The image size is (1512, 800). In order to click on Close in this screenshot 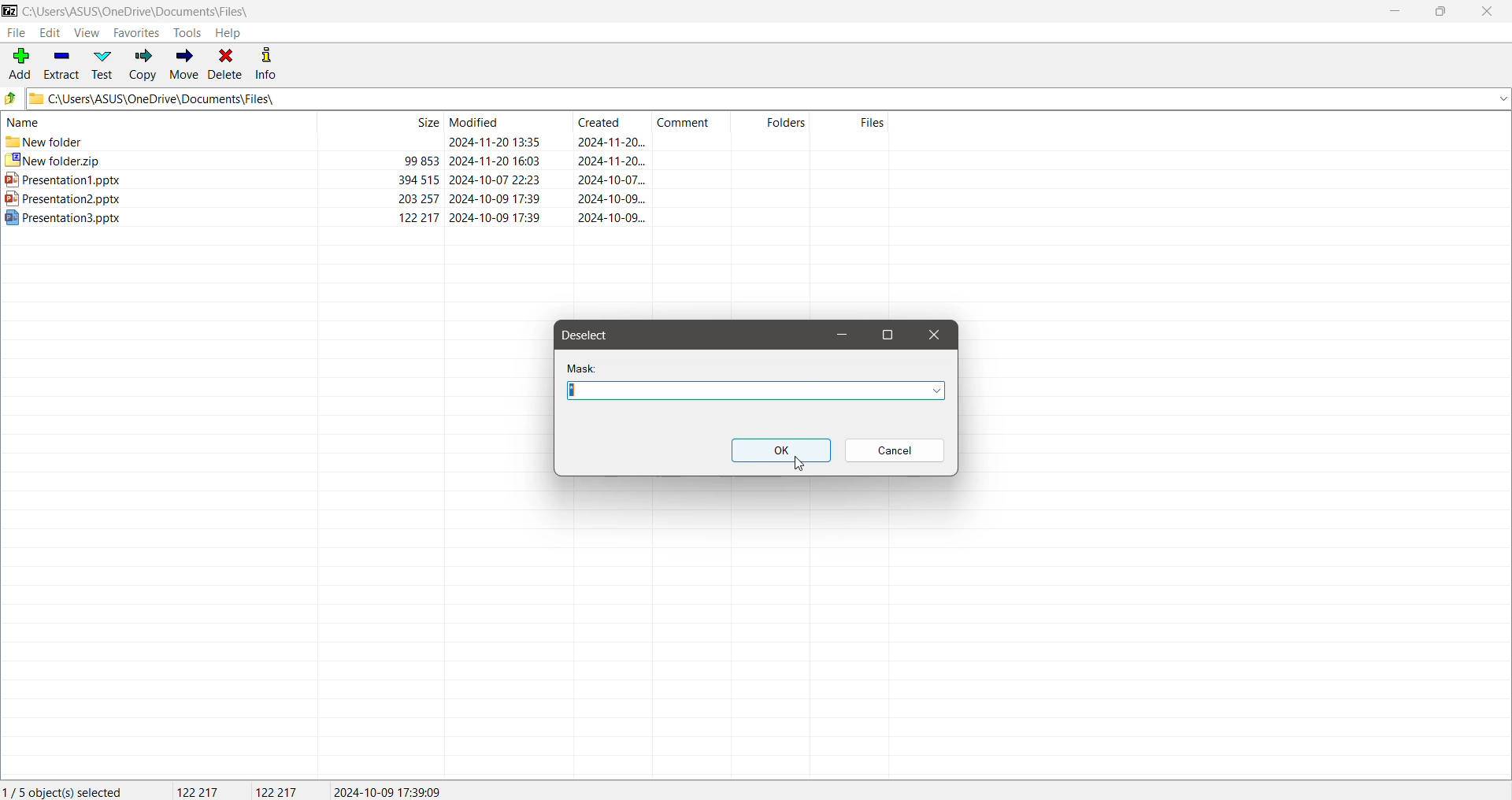, I will do `click(932, 335)`.